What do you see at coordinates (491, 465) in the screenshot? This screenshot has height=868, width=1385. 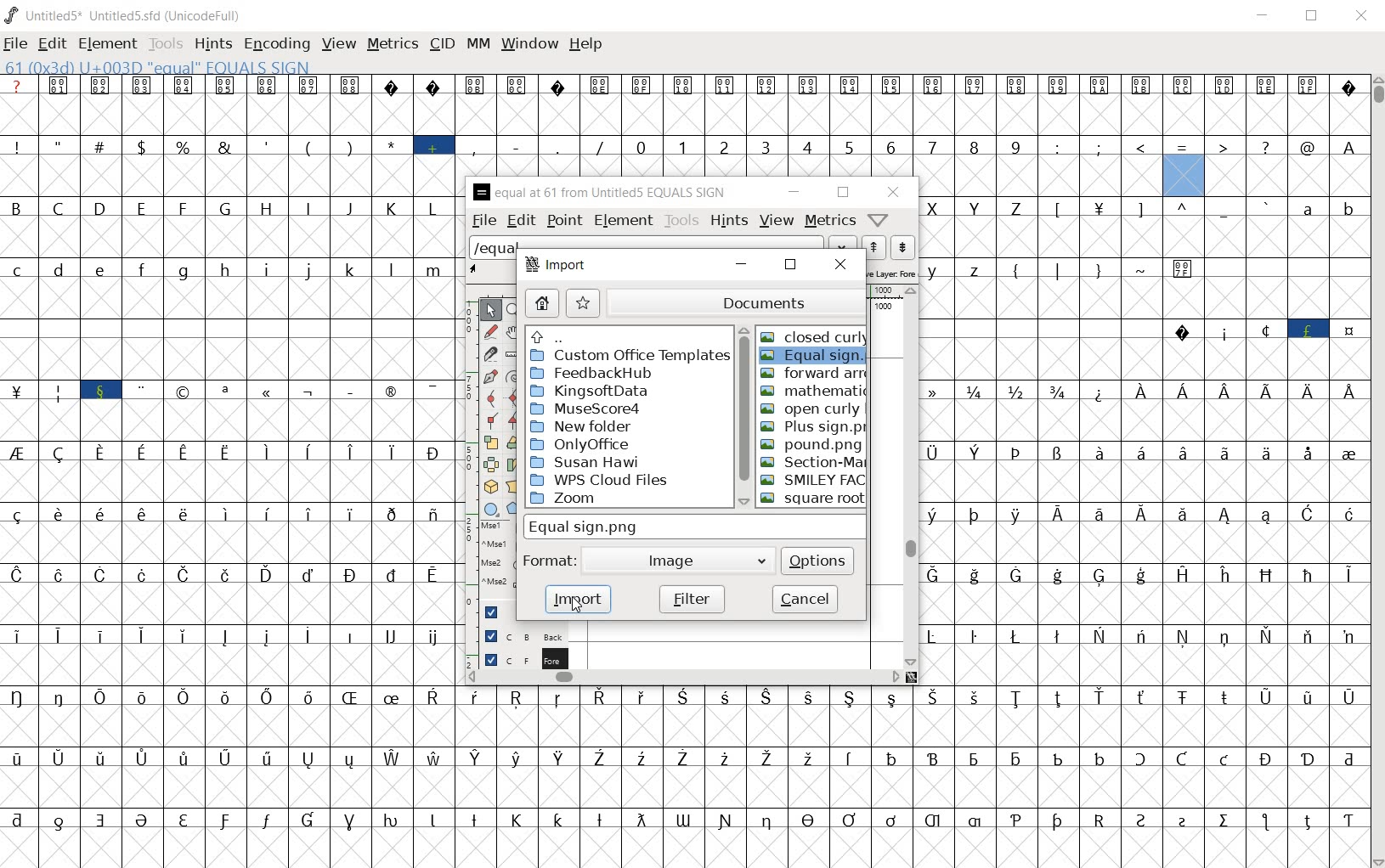 I see `flip the selection` at bounding box center [491, 465].